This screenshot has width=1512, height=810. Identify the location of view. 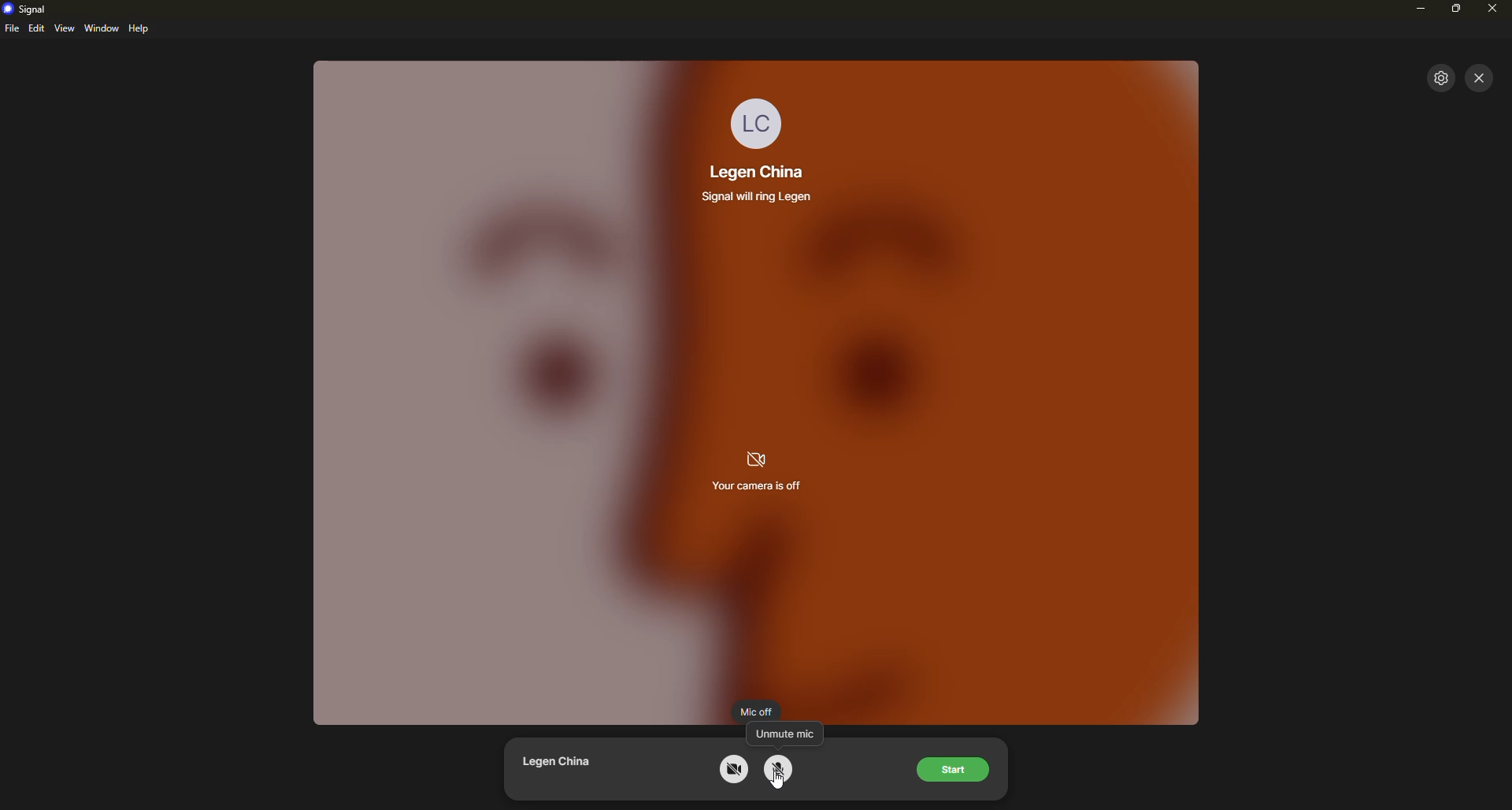
(65, 28).